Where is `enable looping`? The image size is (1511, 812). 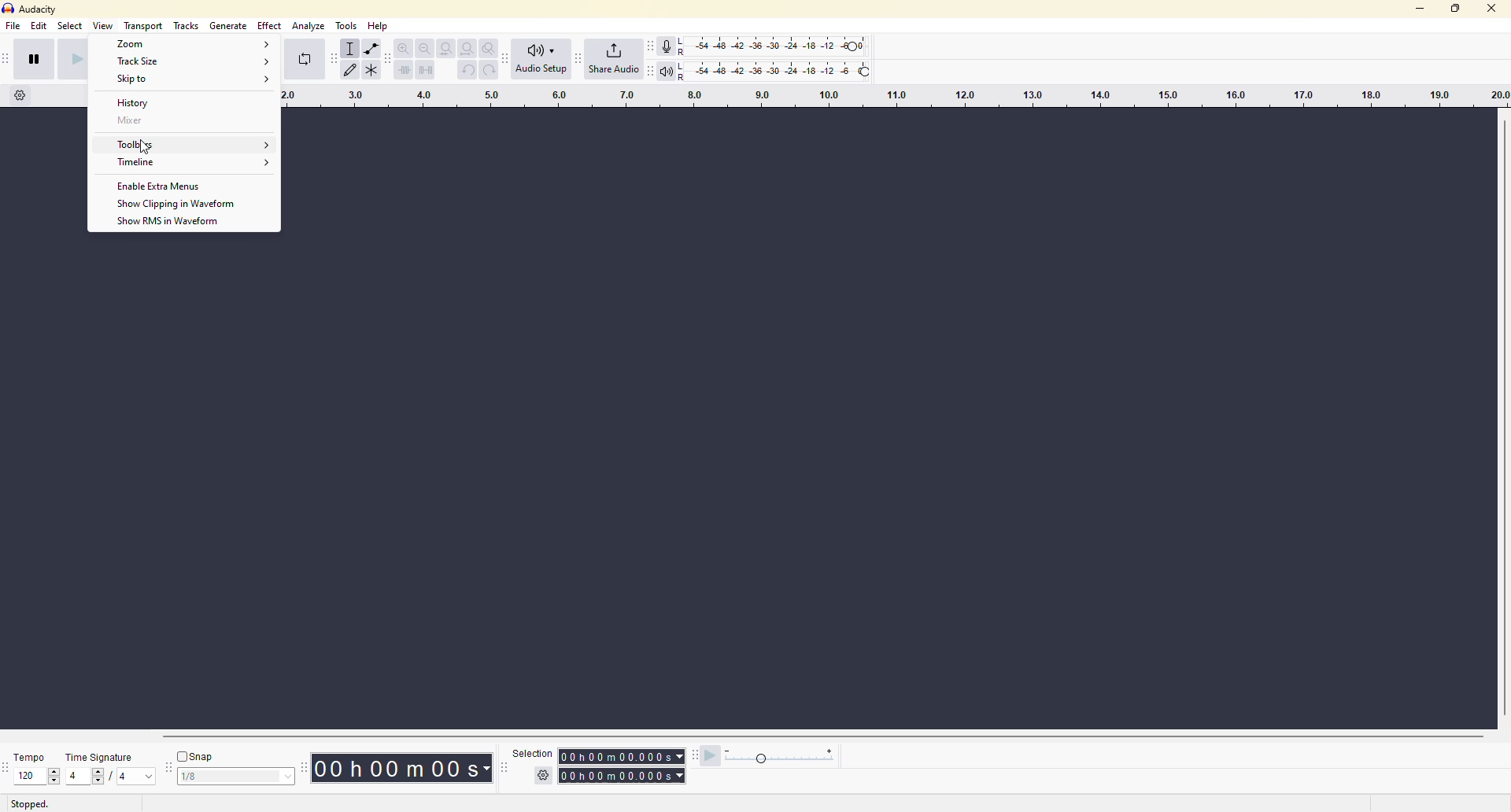
enable looping is located at coordinates (303, 58).